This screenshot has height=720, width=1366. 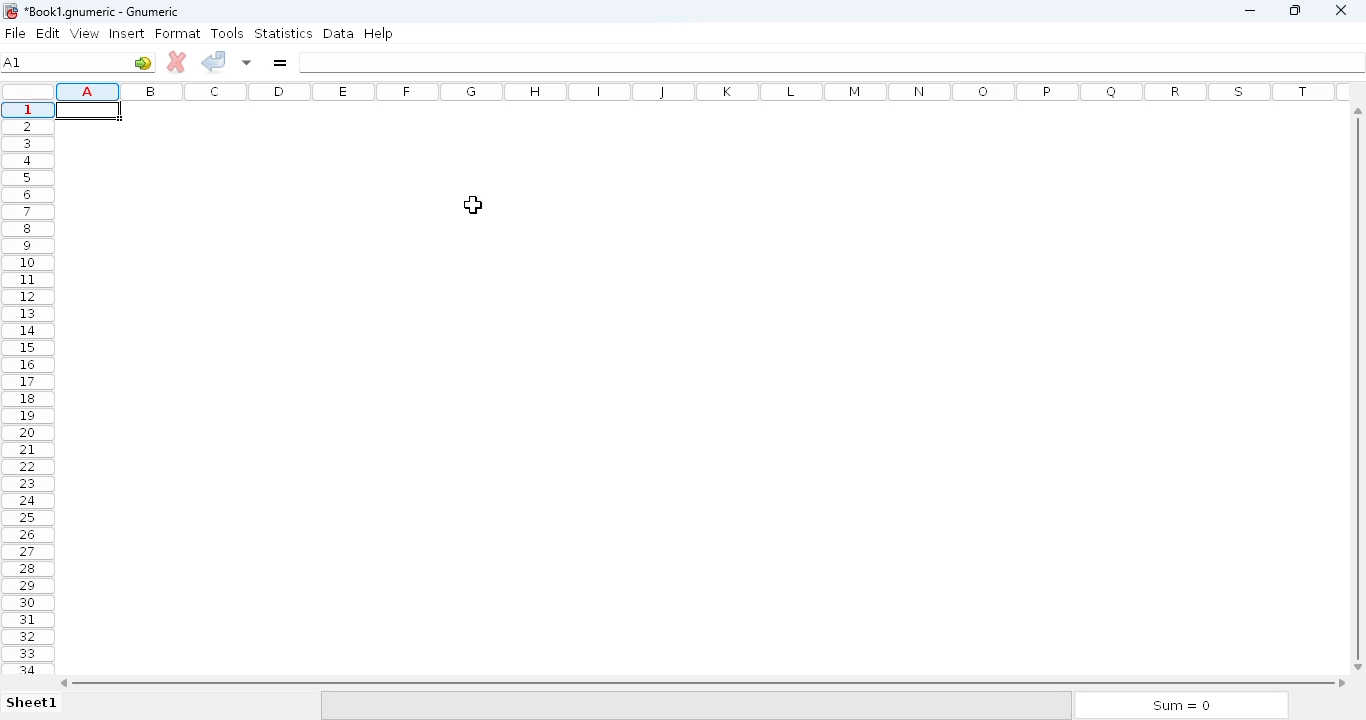 I want to click on *Book1.gnumeric - Gnumeric, so click(x=111, y=12).